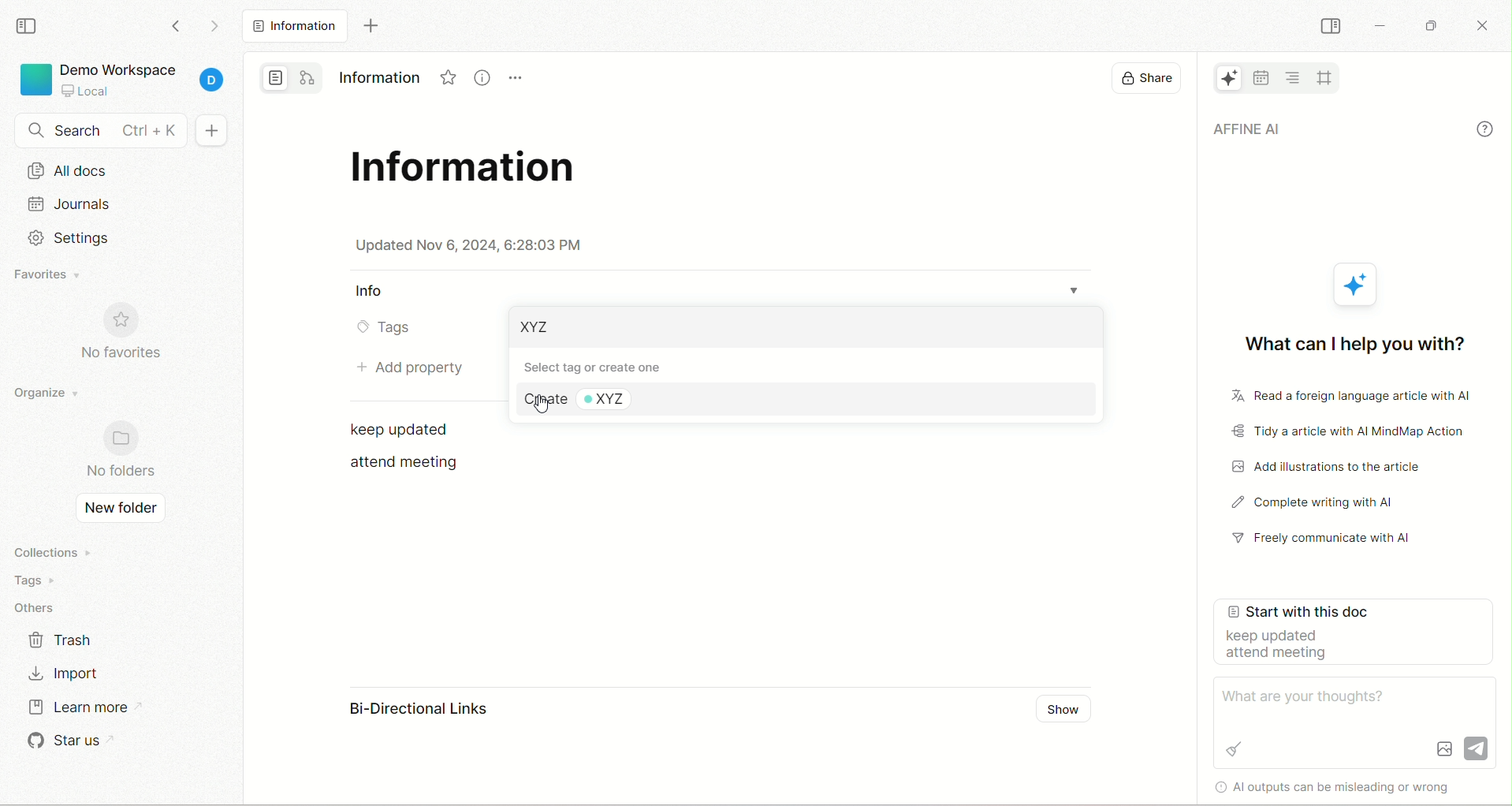  I want to click on +, so click(217, 129).